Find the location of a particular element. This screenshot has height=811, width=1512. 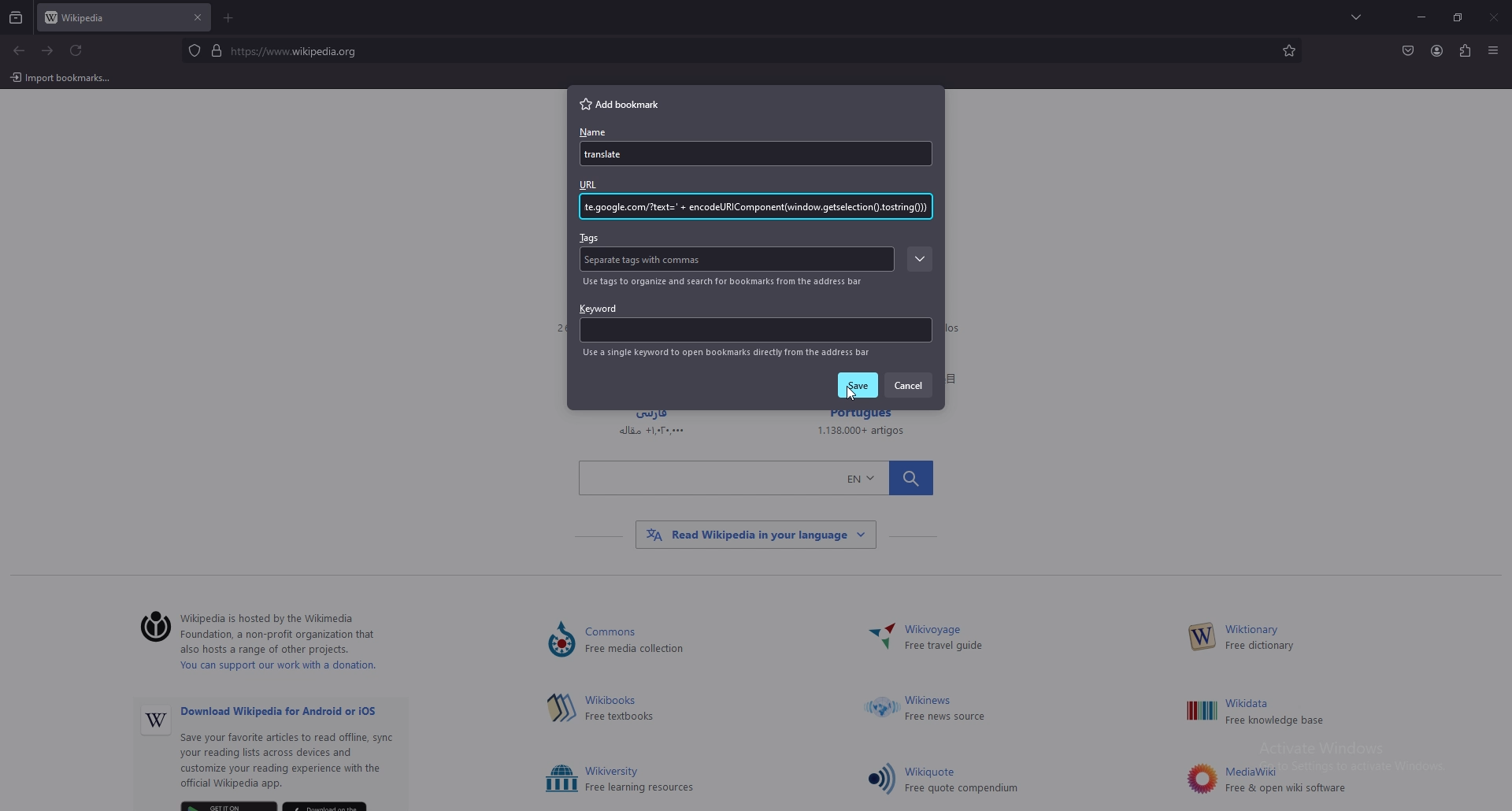

save to pocket is located at coordinates (1407, 50).